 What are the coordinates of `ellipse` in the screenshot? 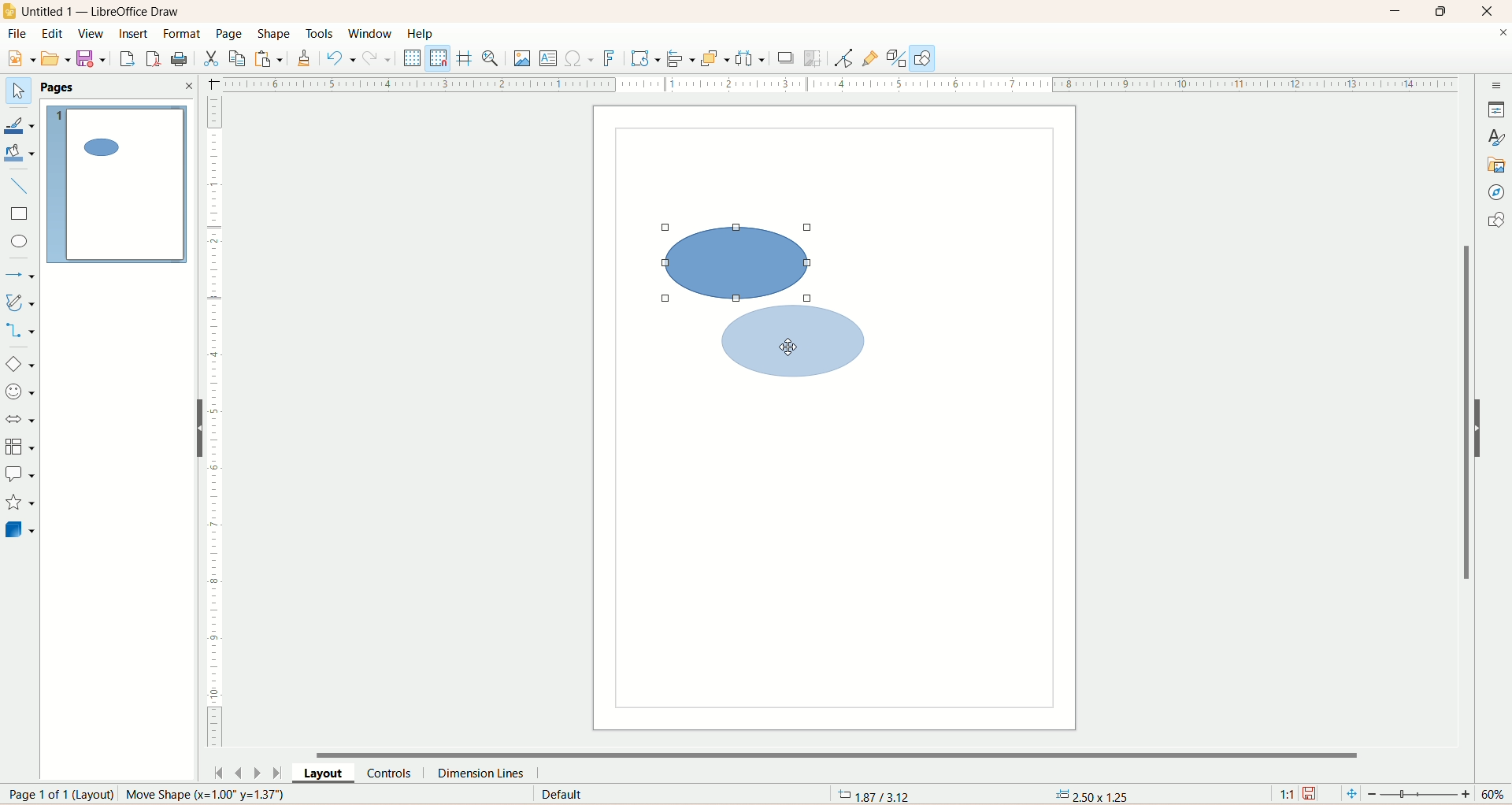 It's located at (19, 240).